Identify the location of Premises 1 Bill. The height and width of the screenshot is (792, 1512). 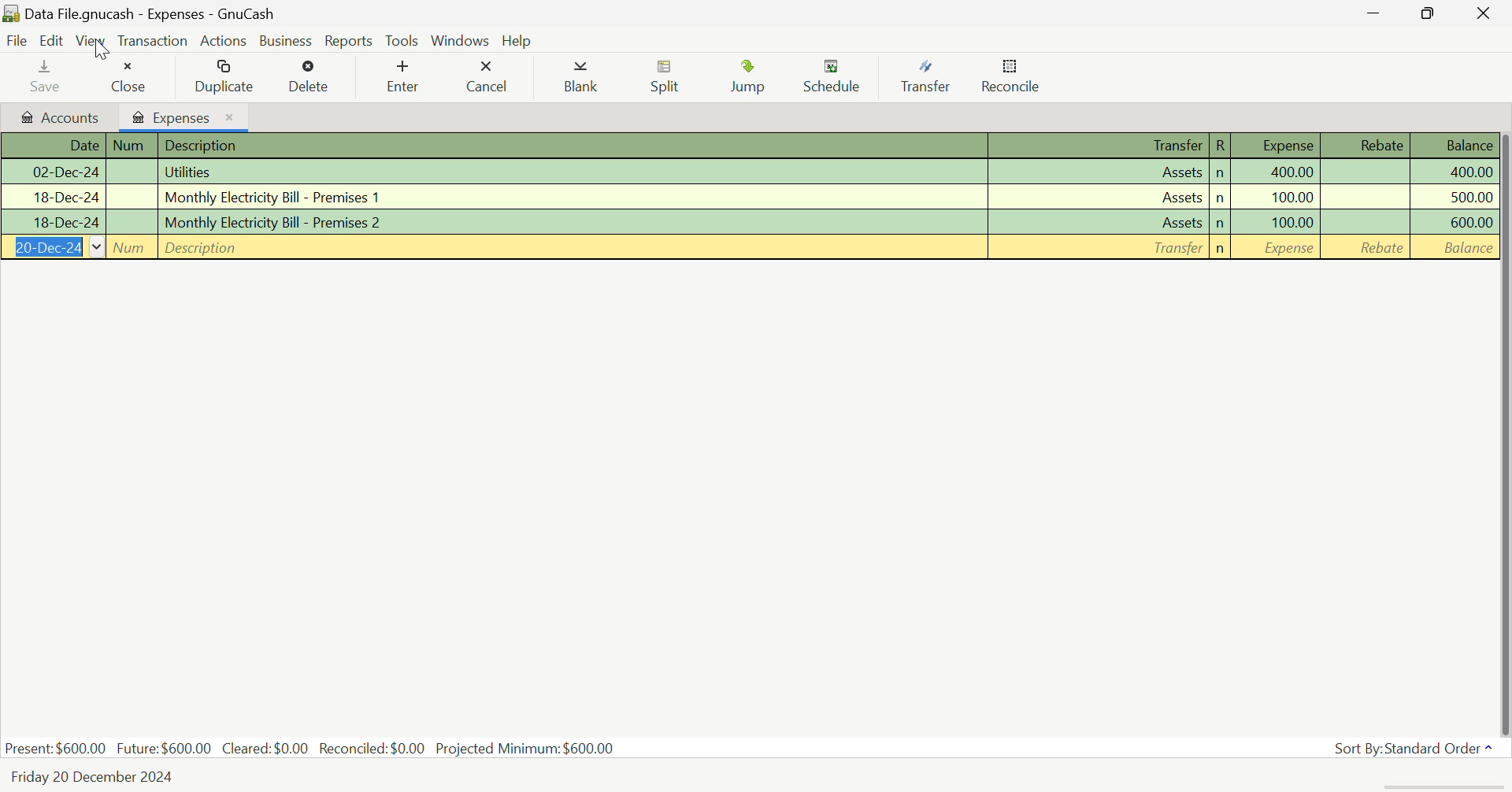
(573, 198).